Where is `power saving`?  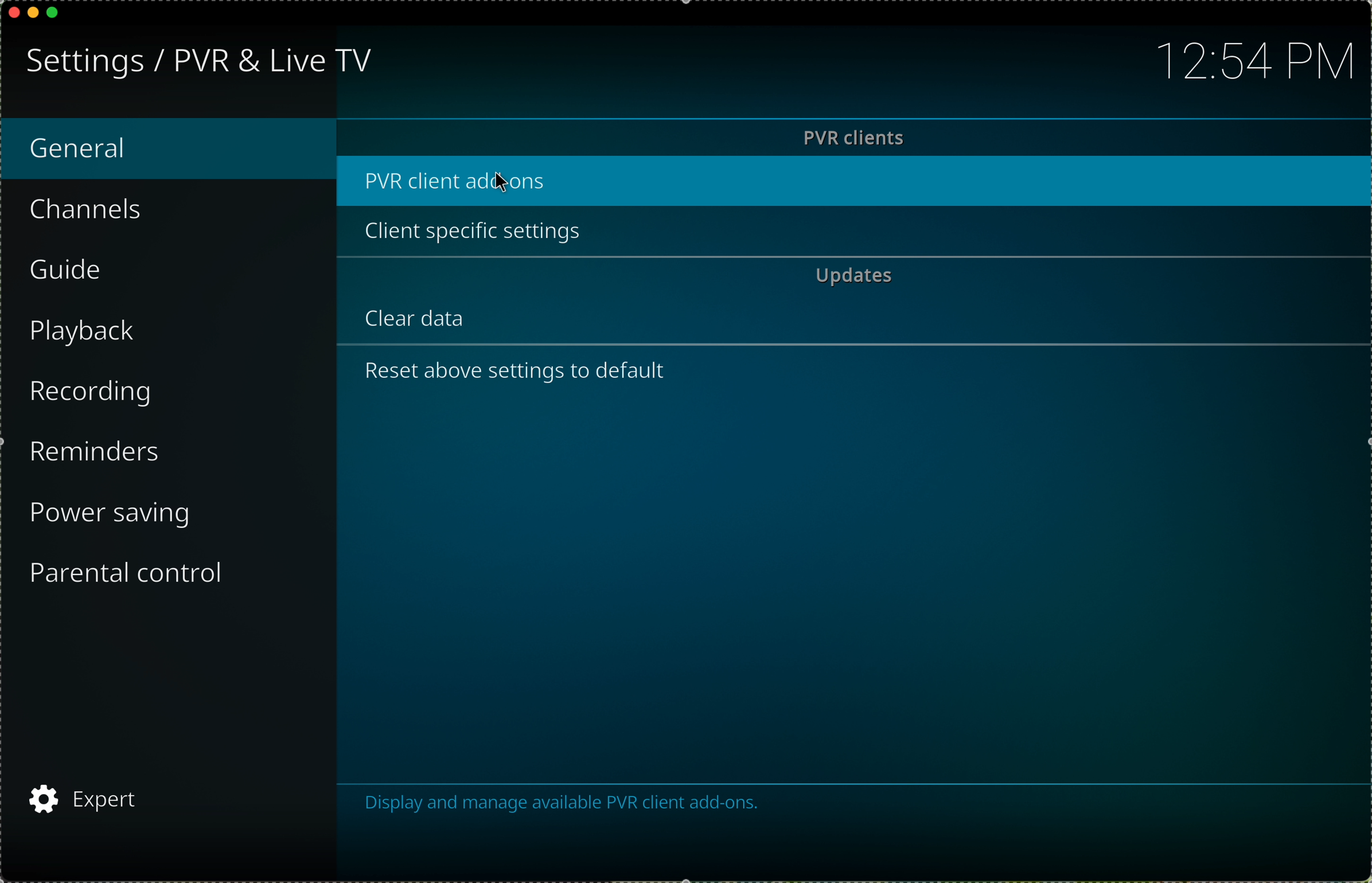
power saving is located at coordinates (111, 513).